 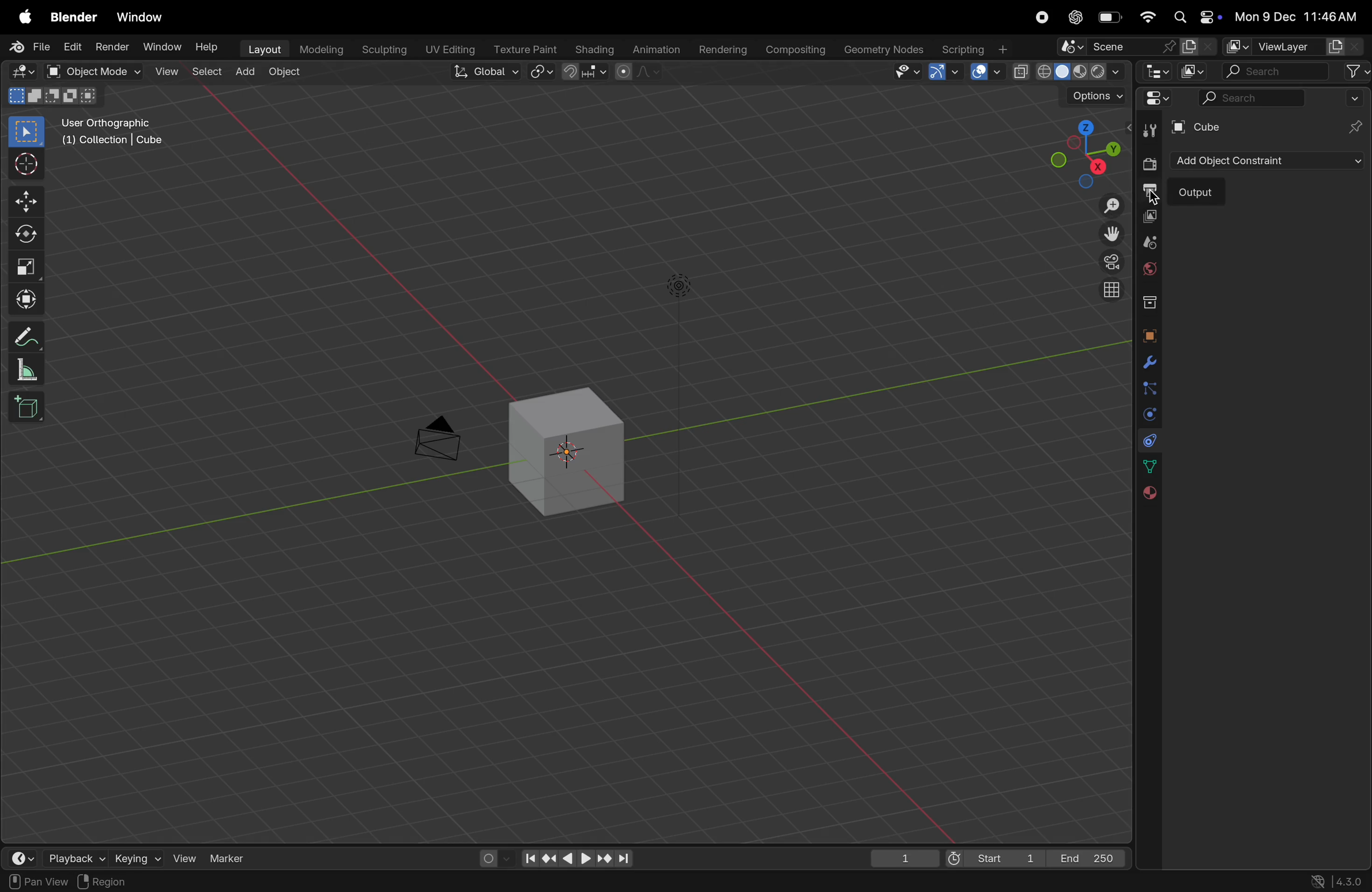 I want to click on date, so click(x=1147, y=466).